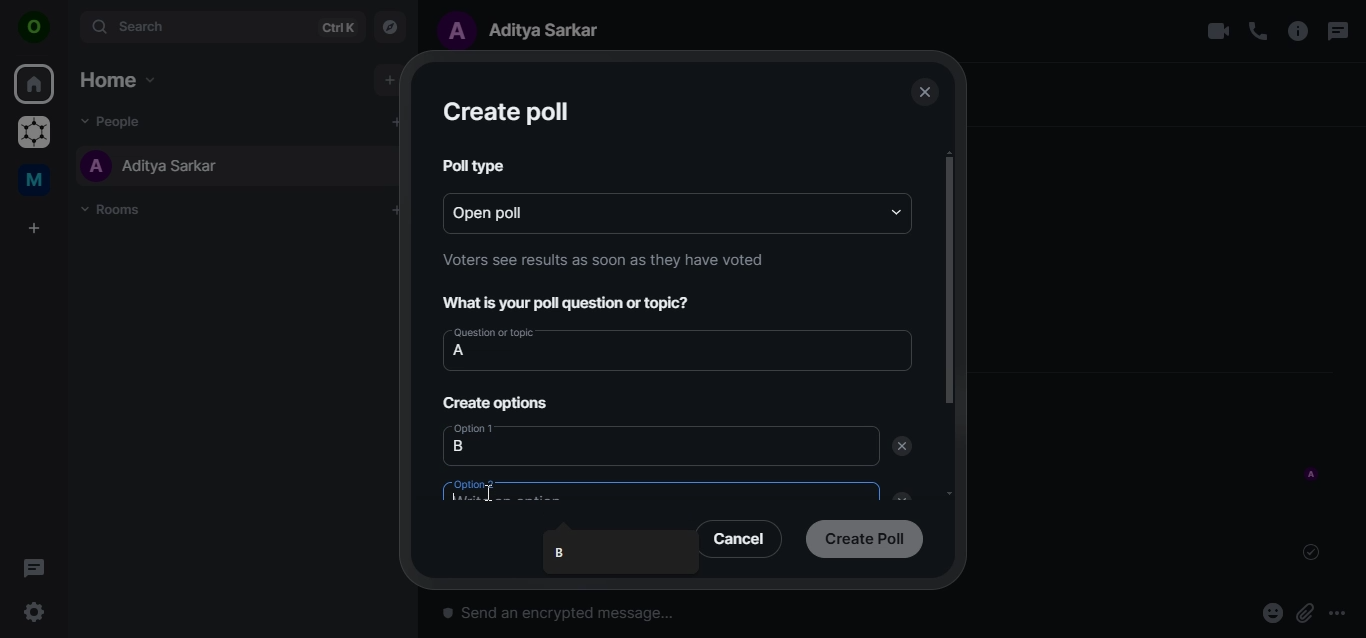 This screenshot has width=1366, height=638. I want to click on aditya sarkar, so click(151, 165).